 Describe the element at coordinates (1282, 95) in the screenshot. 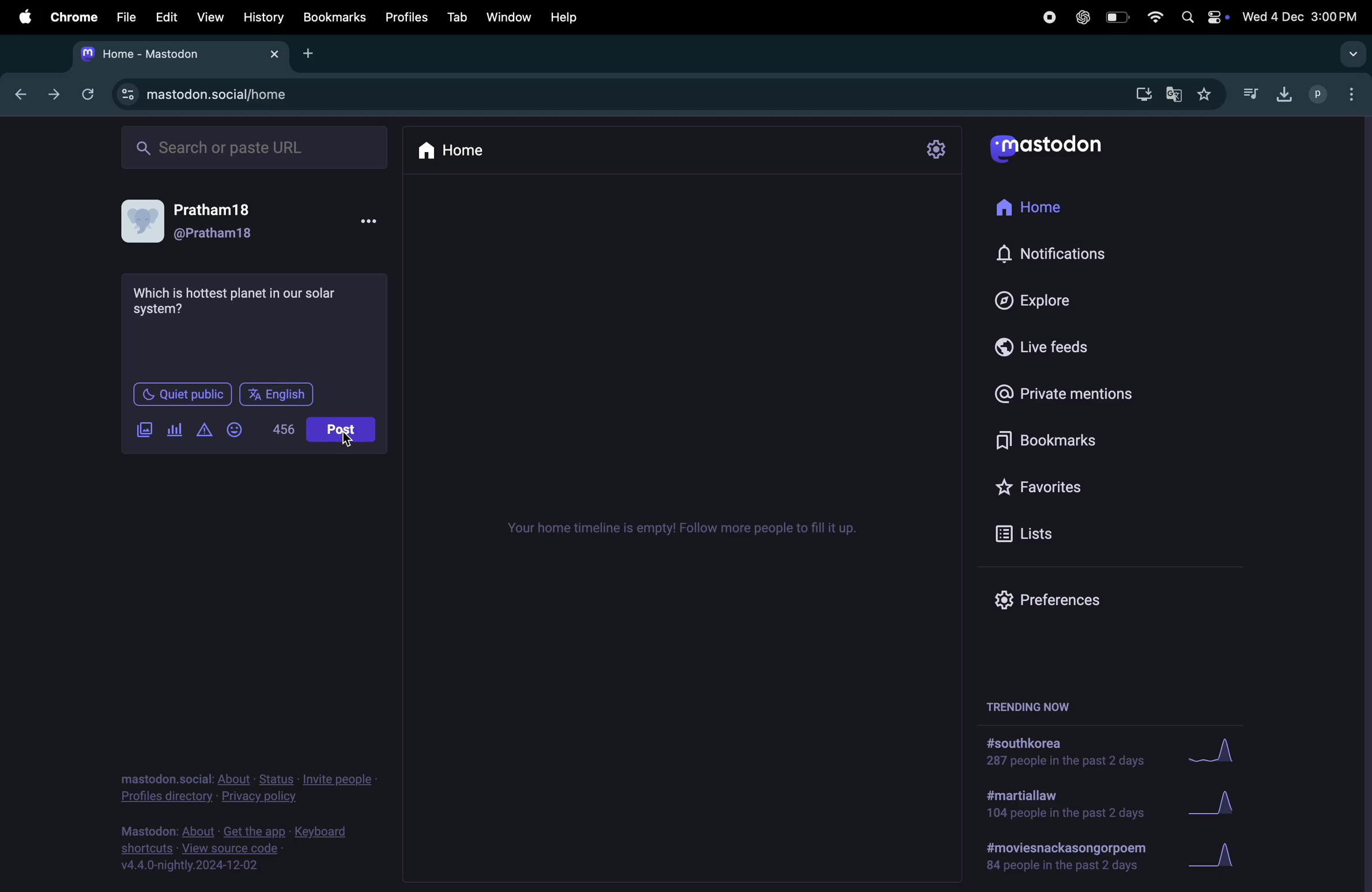

I see `downloads` at that location.